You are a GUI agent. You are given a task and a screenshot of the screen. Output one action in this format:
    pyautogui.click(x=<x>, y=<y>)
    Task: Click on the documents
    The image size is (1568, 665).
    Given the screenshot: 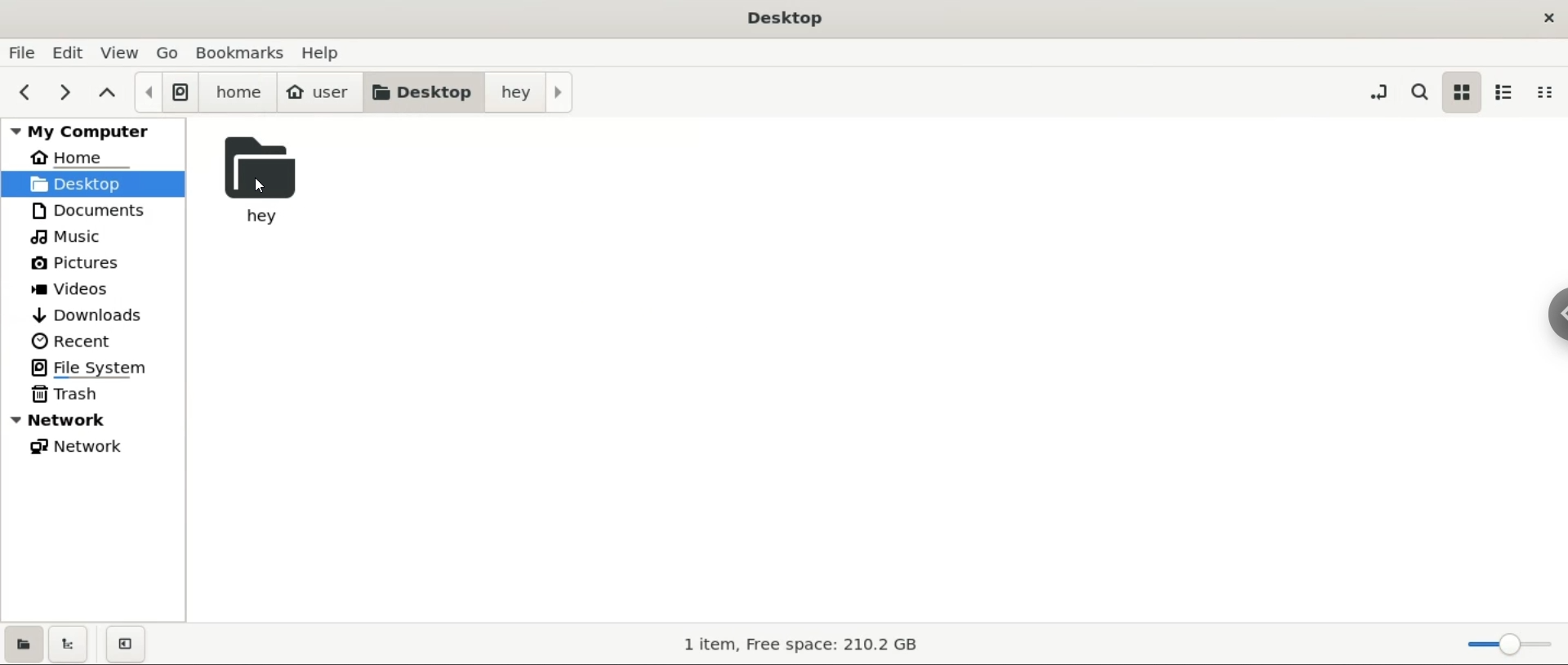 What is the action you would take?
    pyautogui.click(x=93, y=213)
    